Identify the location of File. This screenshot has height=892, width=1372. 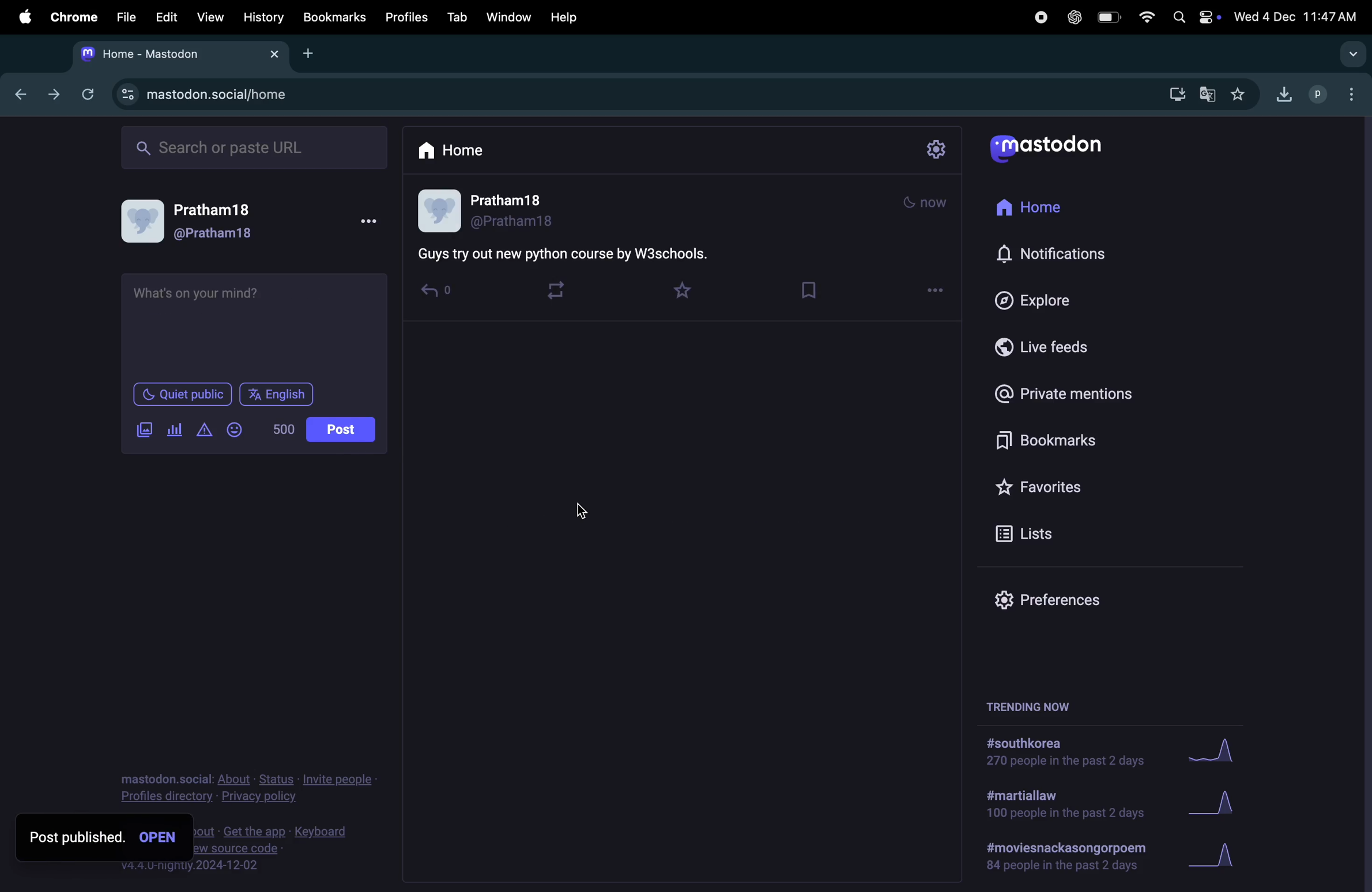
(123, 17).